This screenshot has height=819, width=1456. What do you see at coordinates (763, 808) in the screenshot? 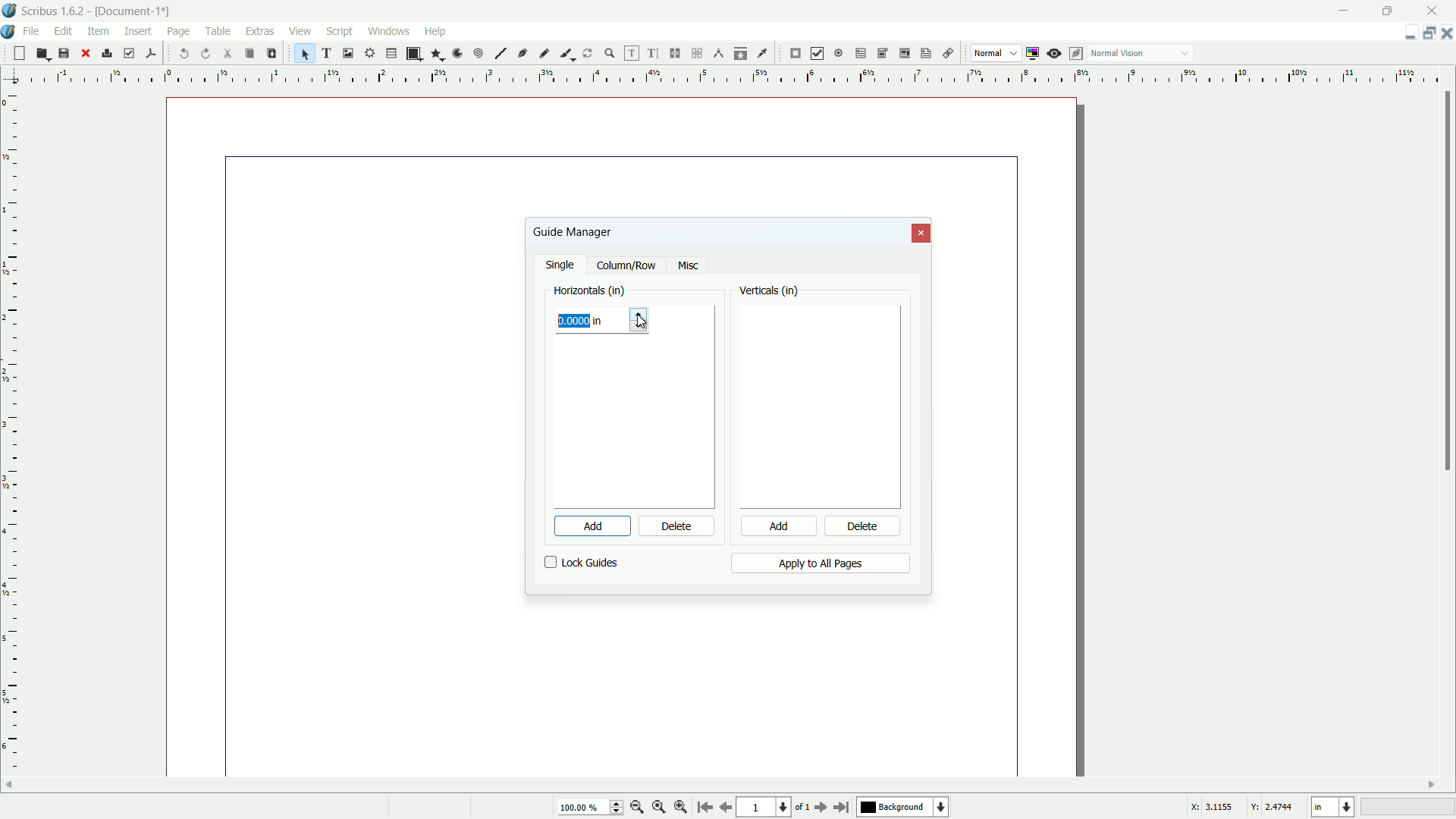
I see `current page number` at bounding box center [763, 808].